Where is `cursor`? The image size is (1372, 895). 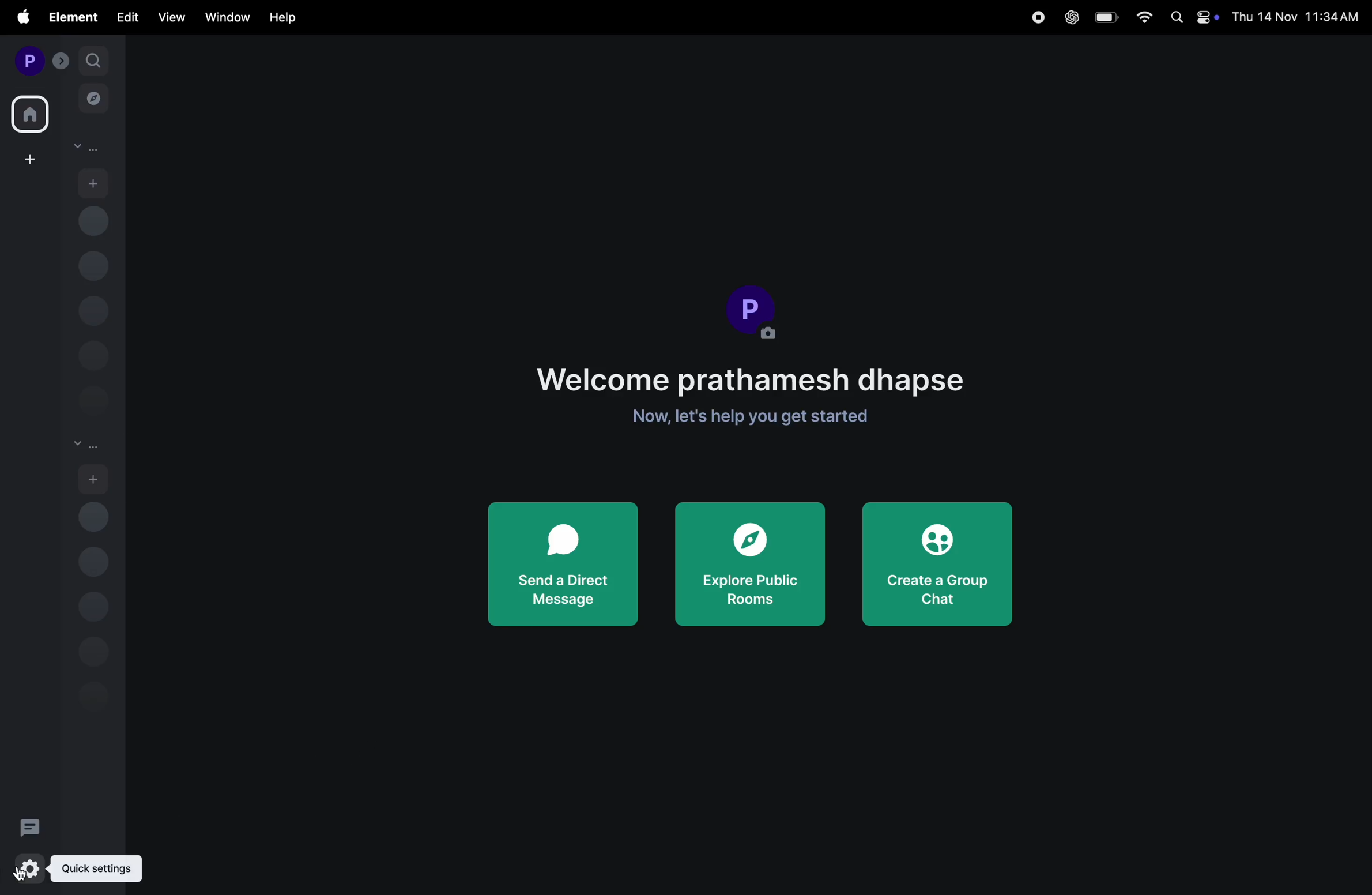 cursor is located at coordinates (25, 871).